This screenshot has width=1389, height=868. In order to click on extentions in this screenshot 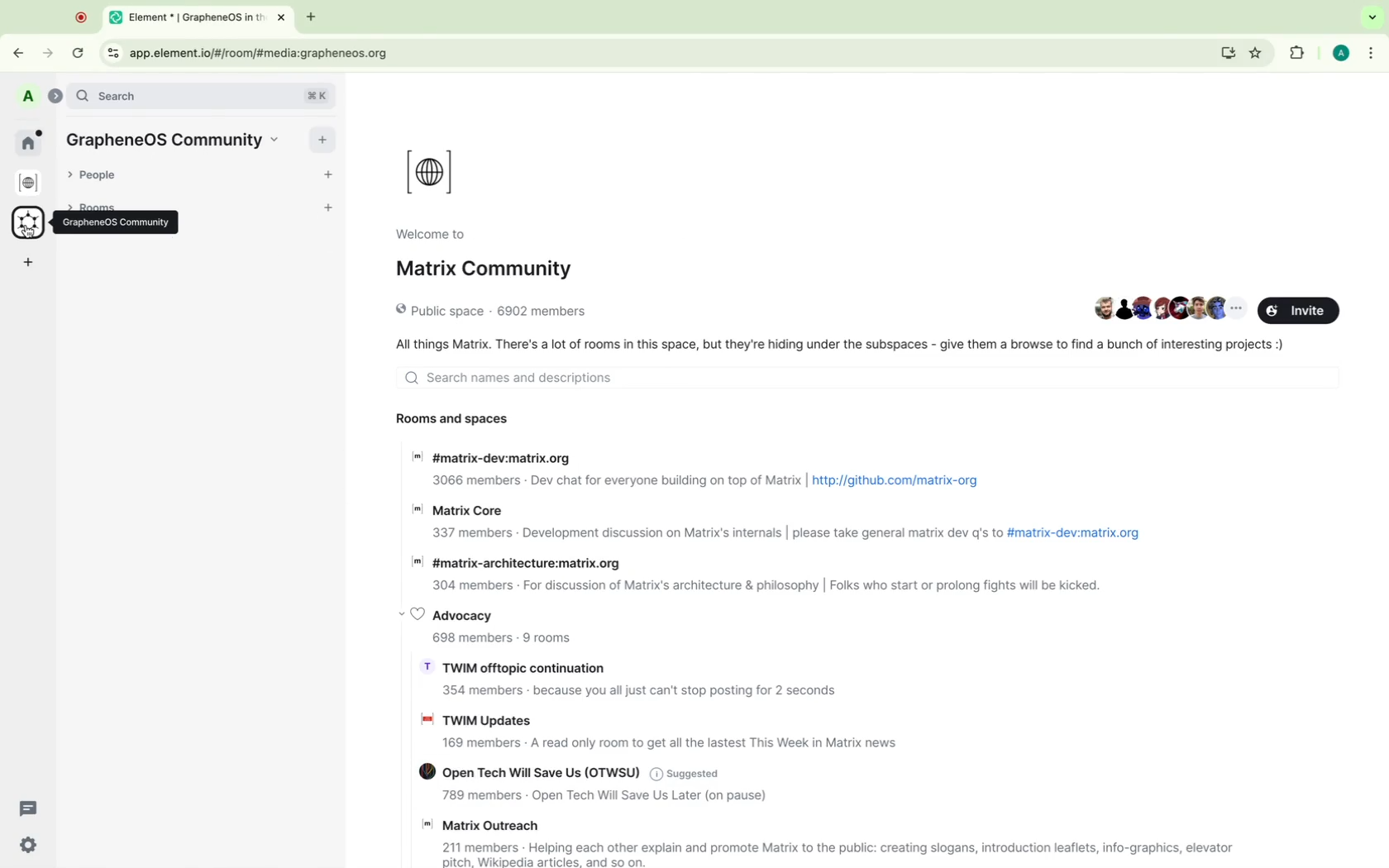, I will do `click(1294, 53)`.